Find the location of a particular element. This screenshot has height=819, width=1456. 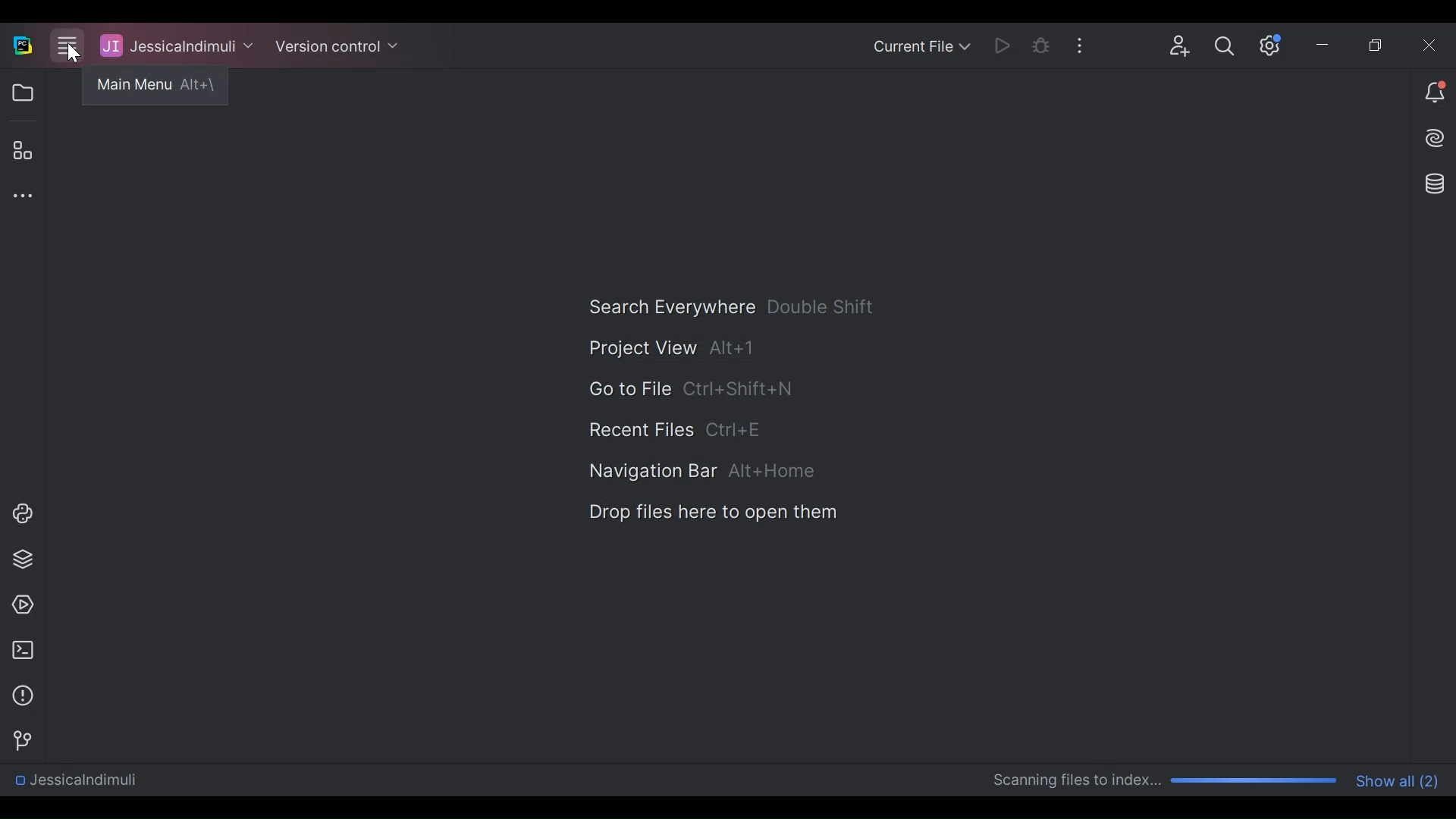

Navigation Bar is located at coordinates (702, 472).